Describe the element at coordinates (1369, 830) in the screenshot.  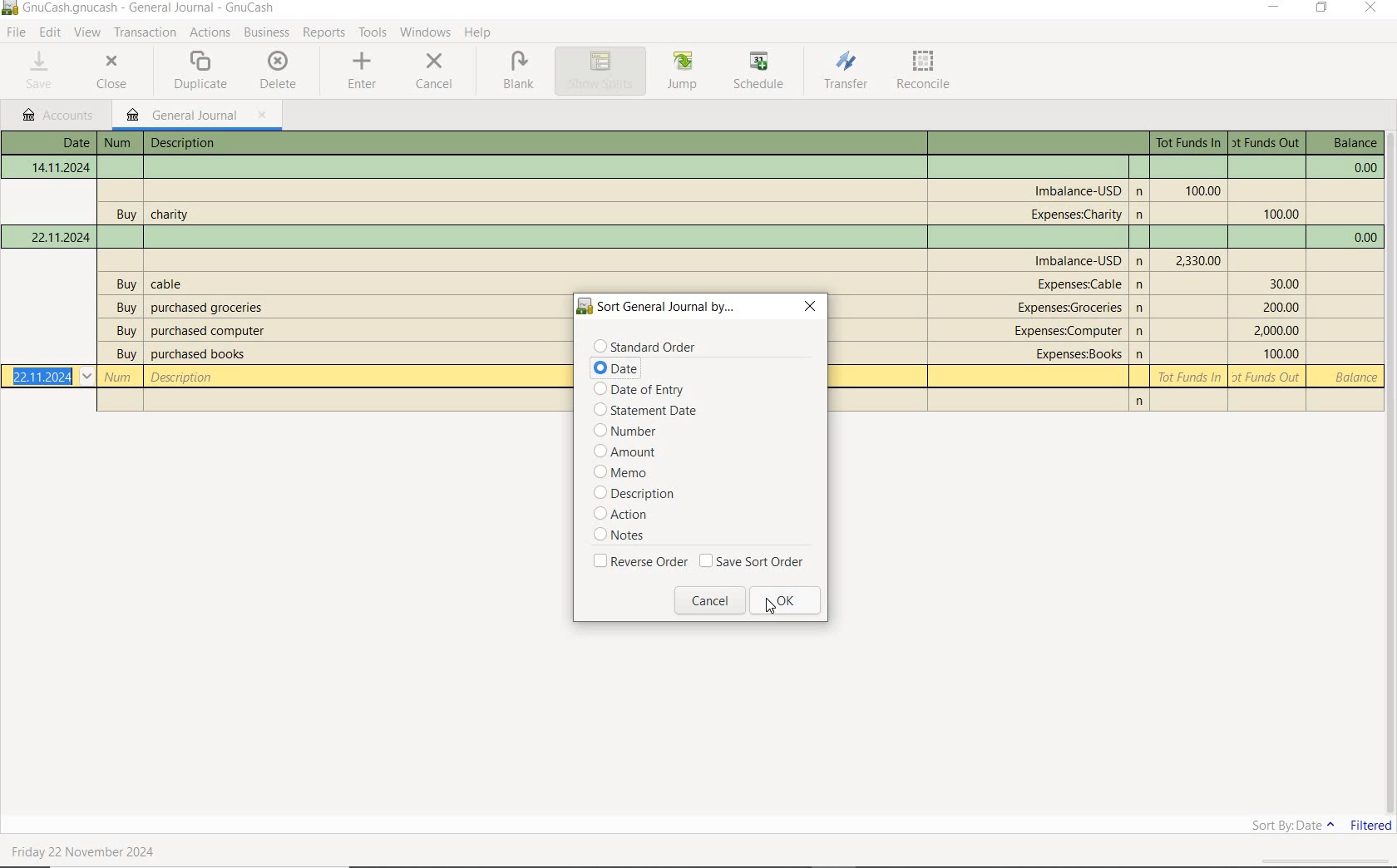
I see `FILTERED` at that location.